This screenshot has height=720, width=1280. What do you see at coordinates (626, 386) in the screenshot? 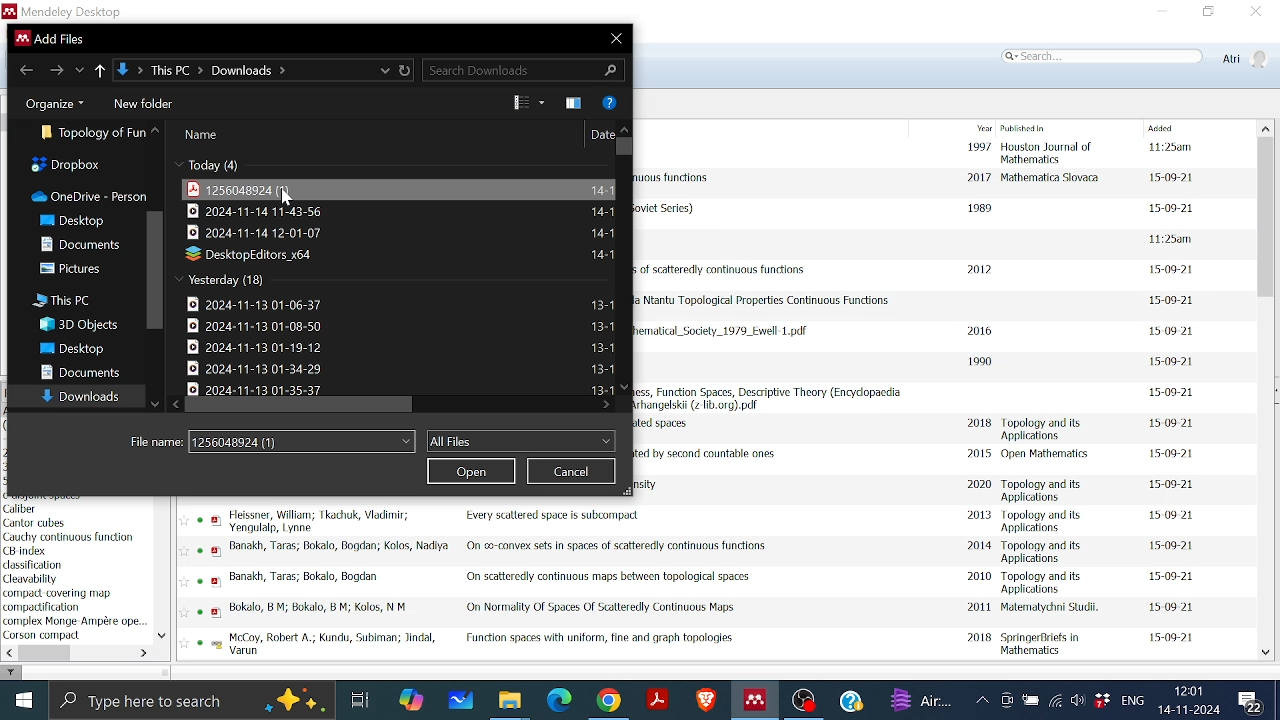
I see `Move down in all files` at bounding box center [626, 386].